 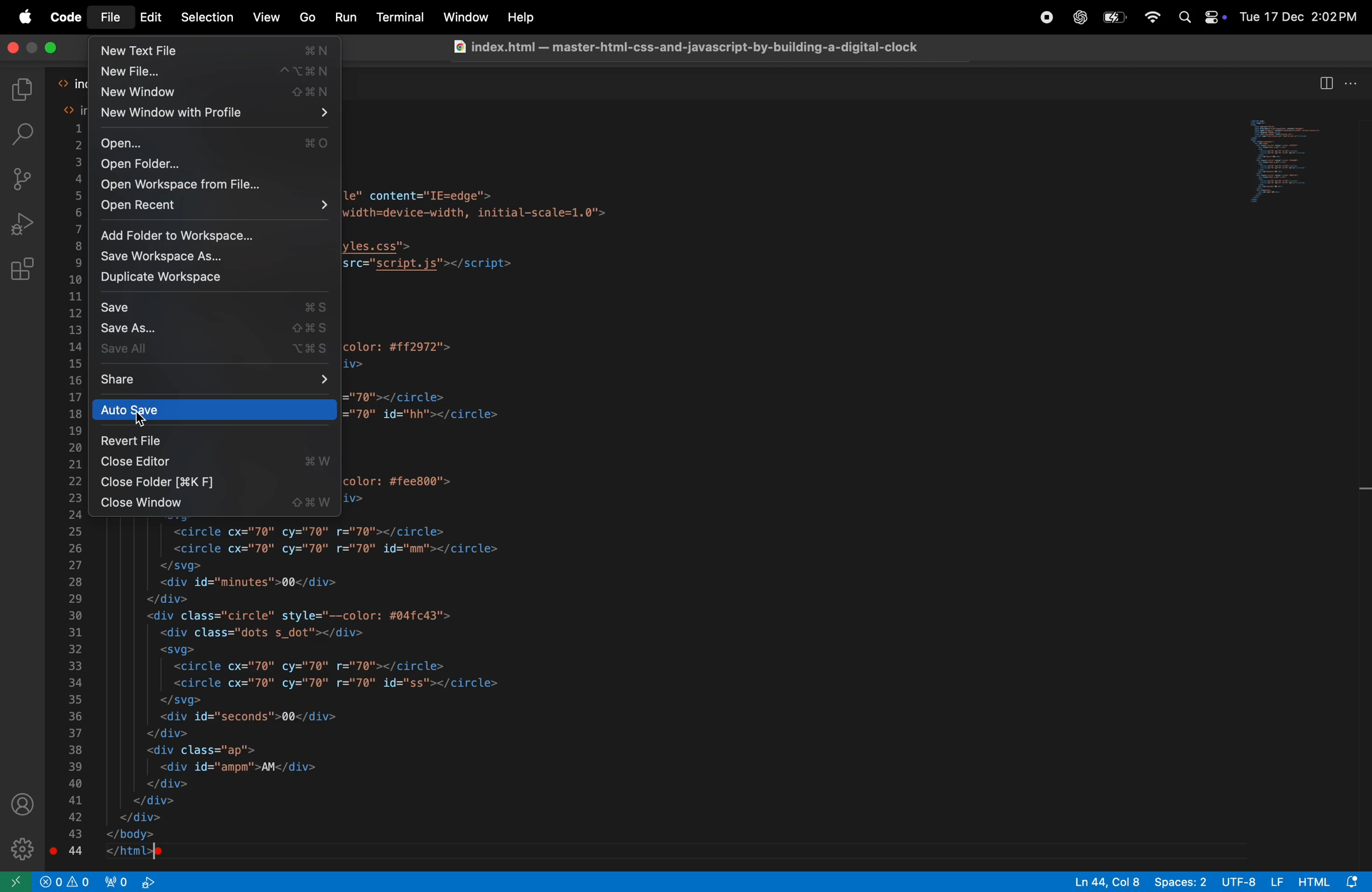 I want to click on html alert, so click(x=1333, y=880).